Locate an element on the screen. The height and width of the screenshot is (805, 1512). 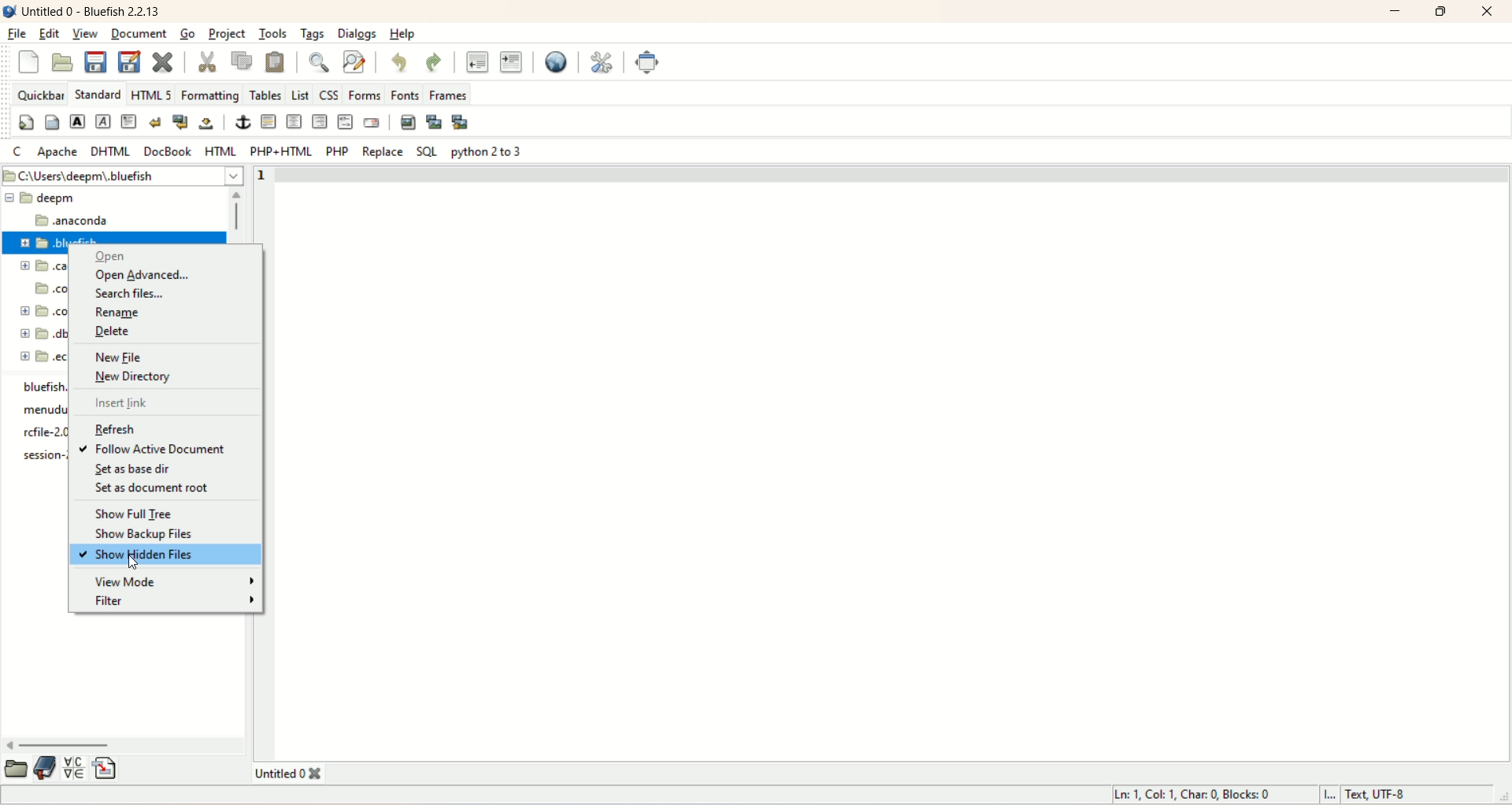
anaconda is located at coordinates (72, 221).